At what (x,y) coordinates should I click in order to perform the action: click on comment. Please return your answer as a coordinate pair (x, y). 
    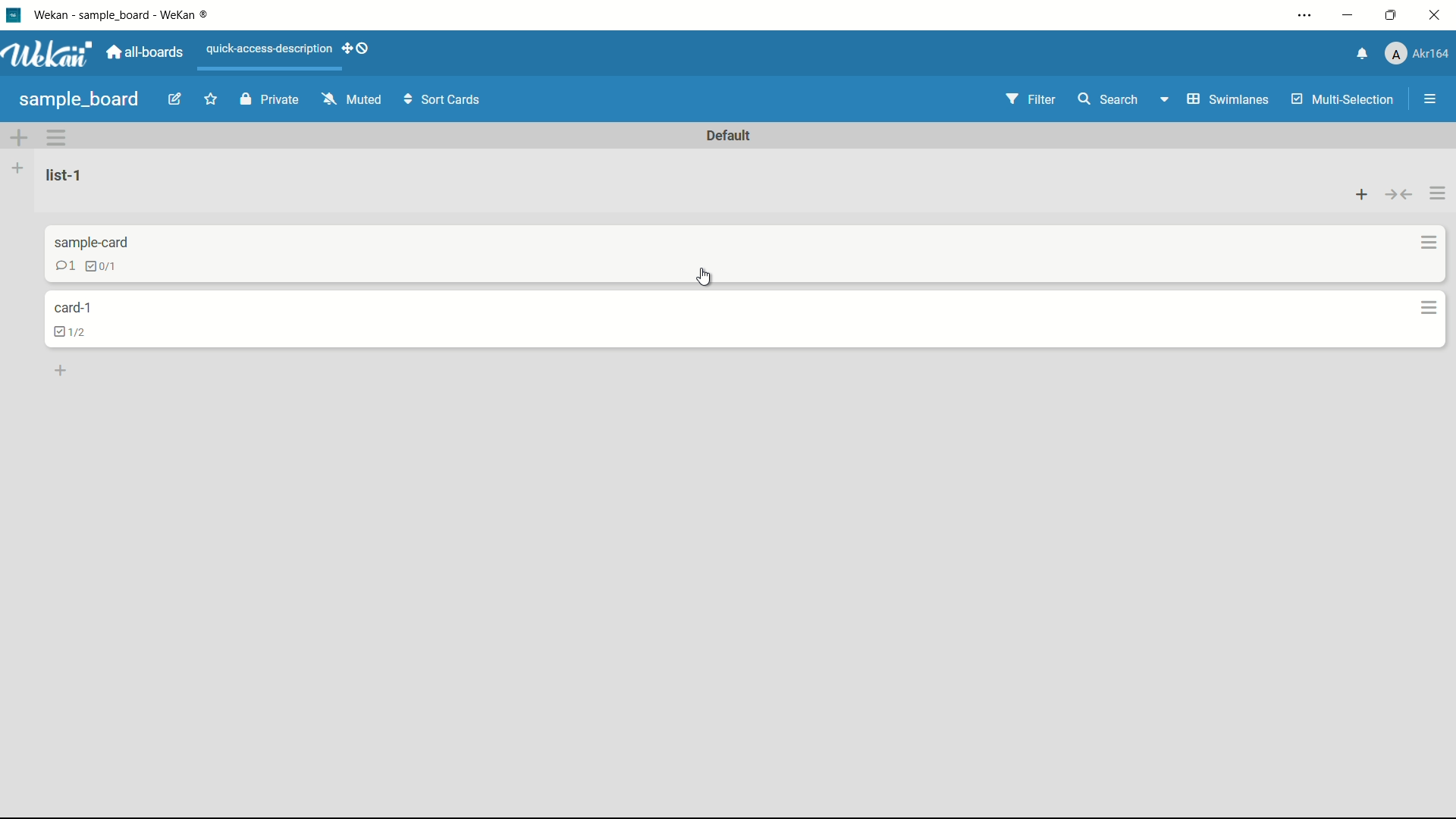
    Looking at the image, I should click on (65, 268).